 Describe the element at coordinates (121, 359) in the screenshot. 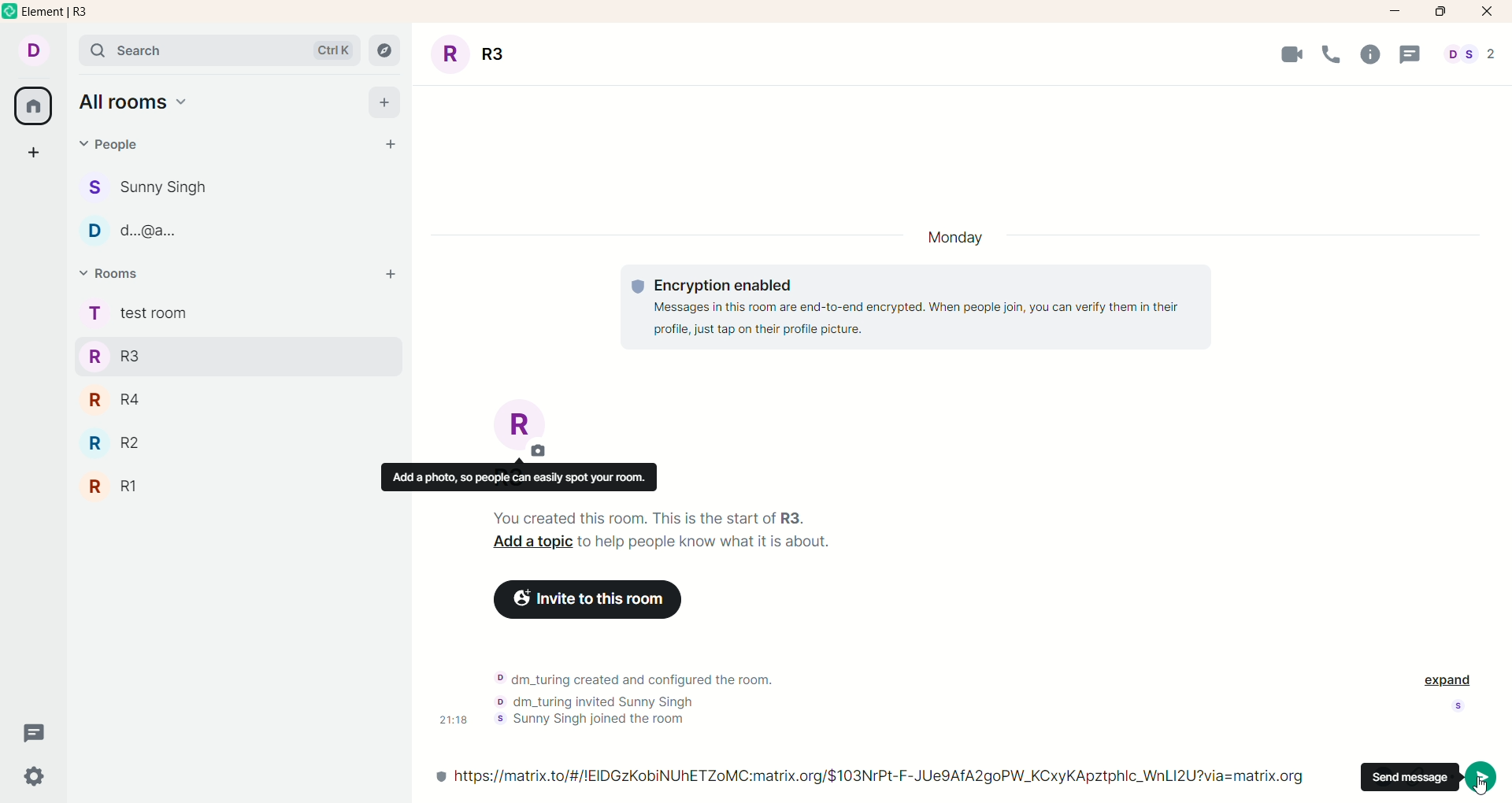

I see `R3` at that location.